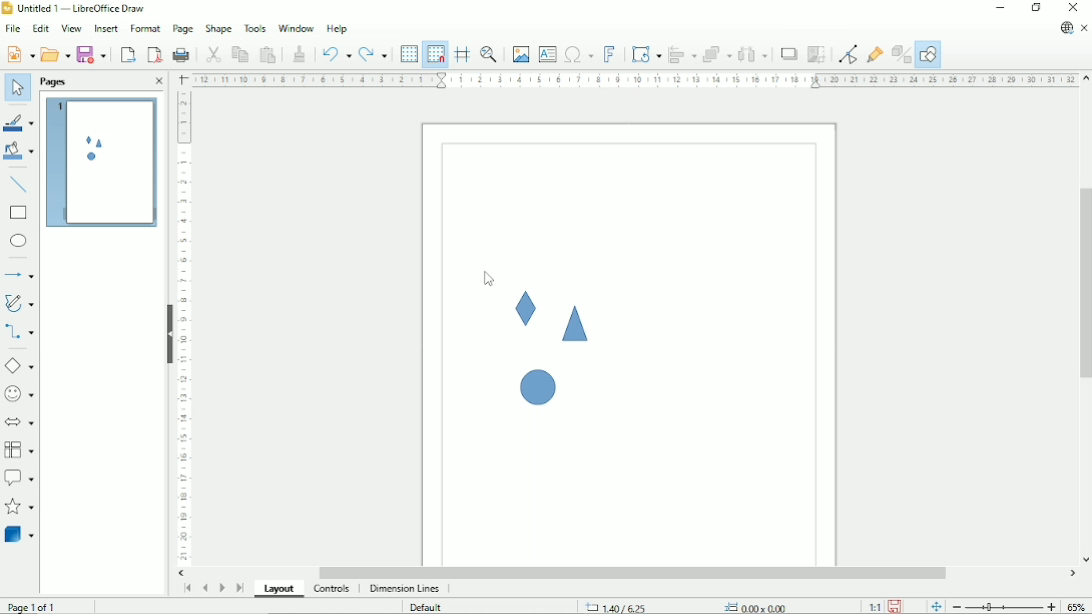 The width and height of the screenshot is (1092, 614). I want to click on Close, so click(158, 82).